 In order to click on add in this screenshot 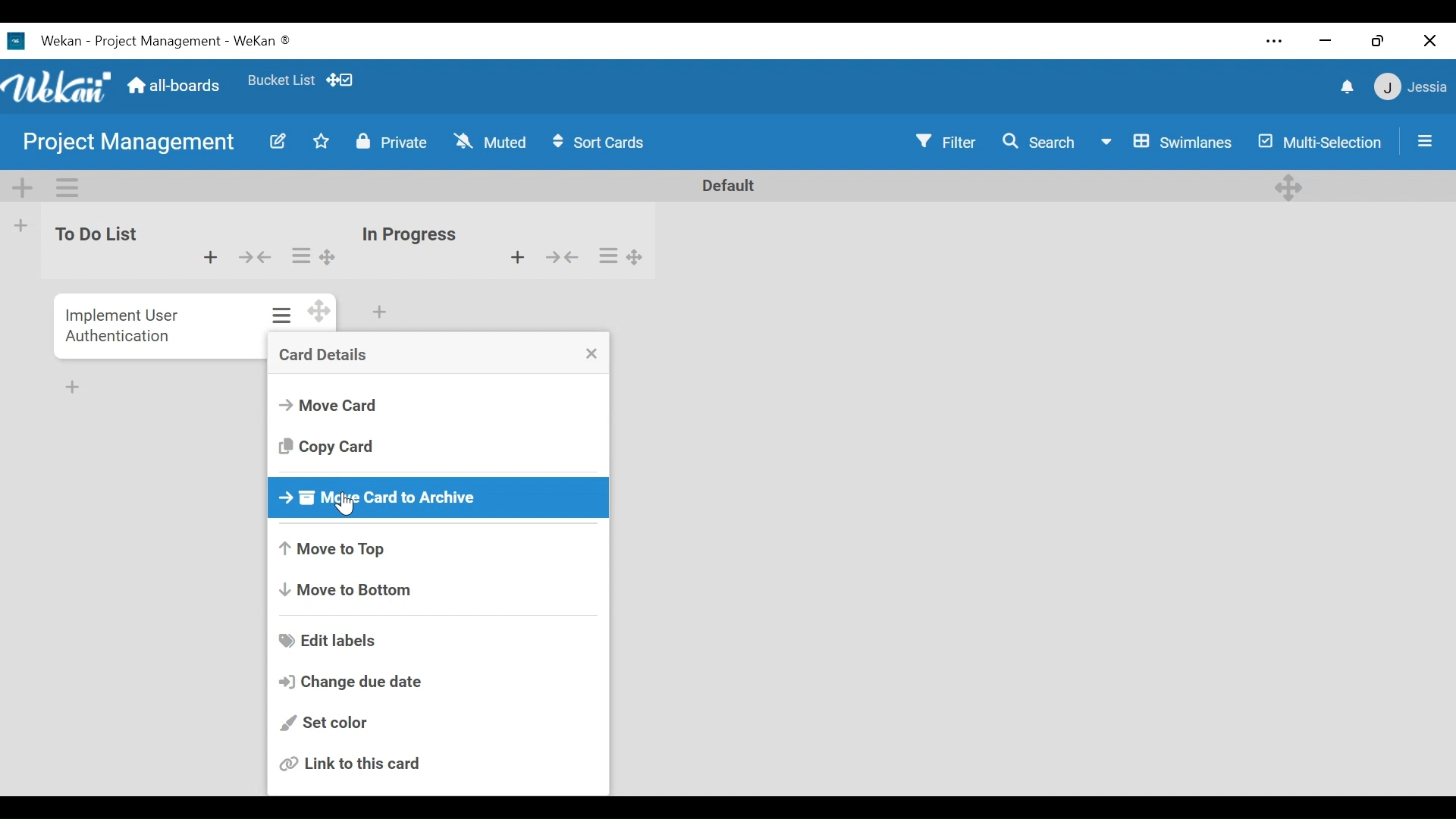, I will do `click(209, 259)`.